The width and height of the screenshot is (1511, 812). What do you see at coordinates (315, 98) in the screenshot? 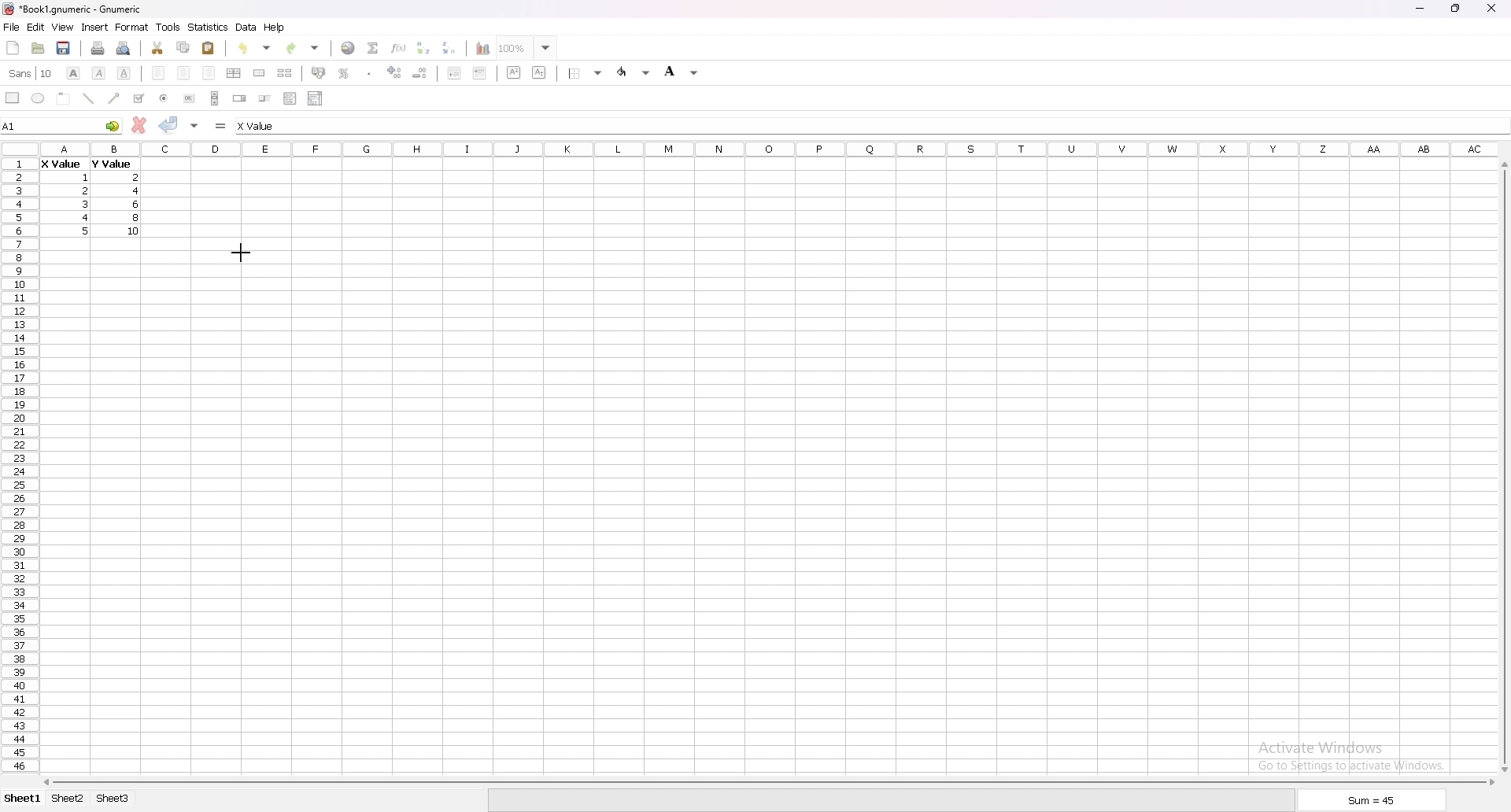
I see `combo box` at bounding box center [315, 98].